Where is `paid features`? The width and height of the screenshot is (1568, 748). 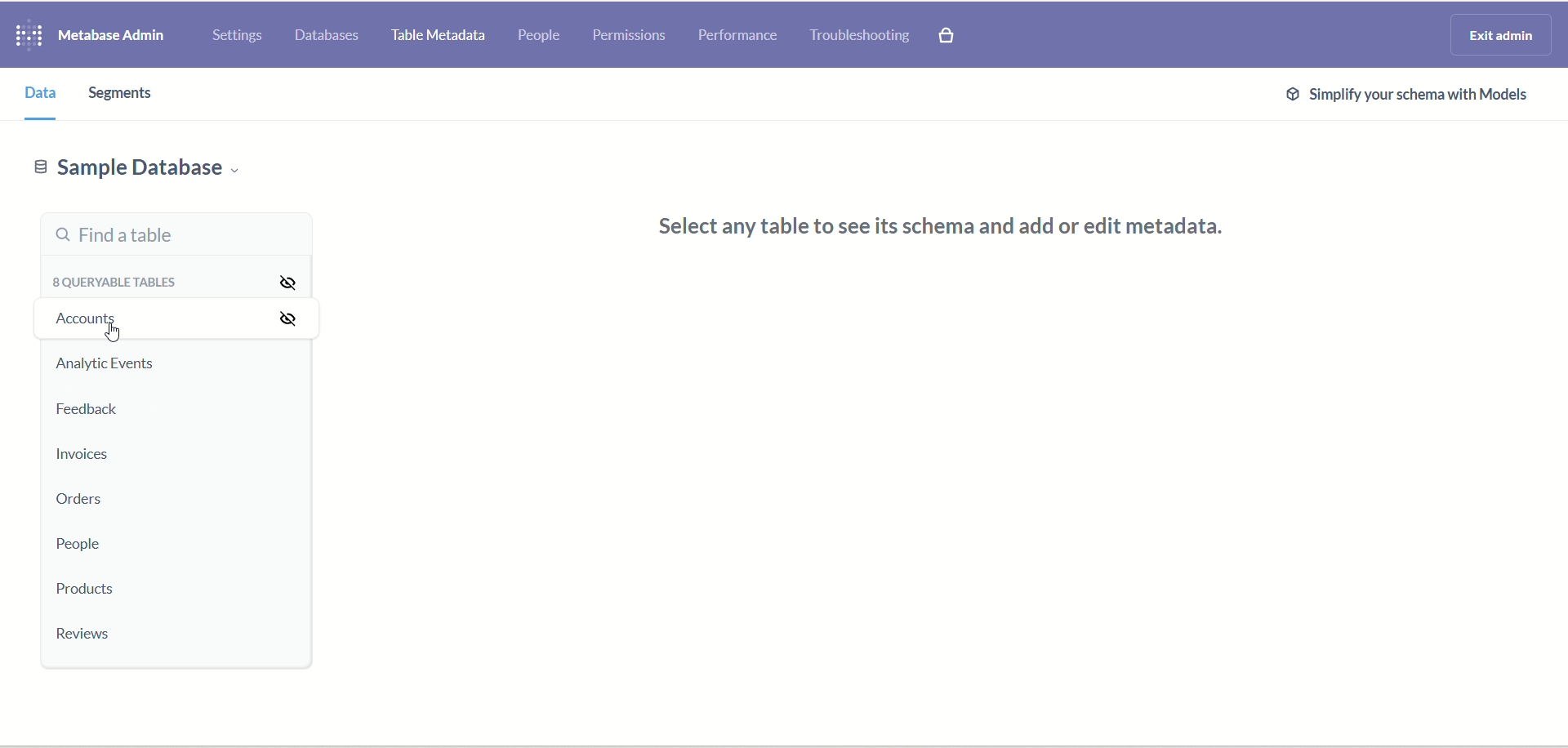 paid features is located at coordinates (952, 39).